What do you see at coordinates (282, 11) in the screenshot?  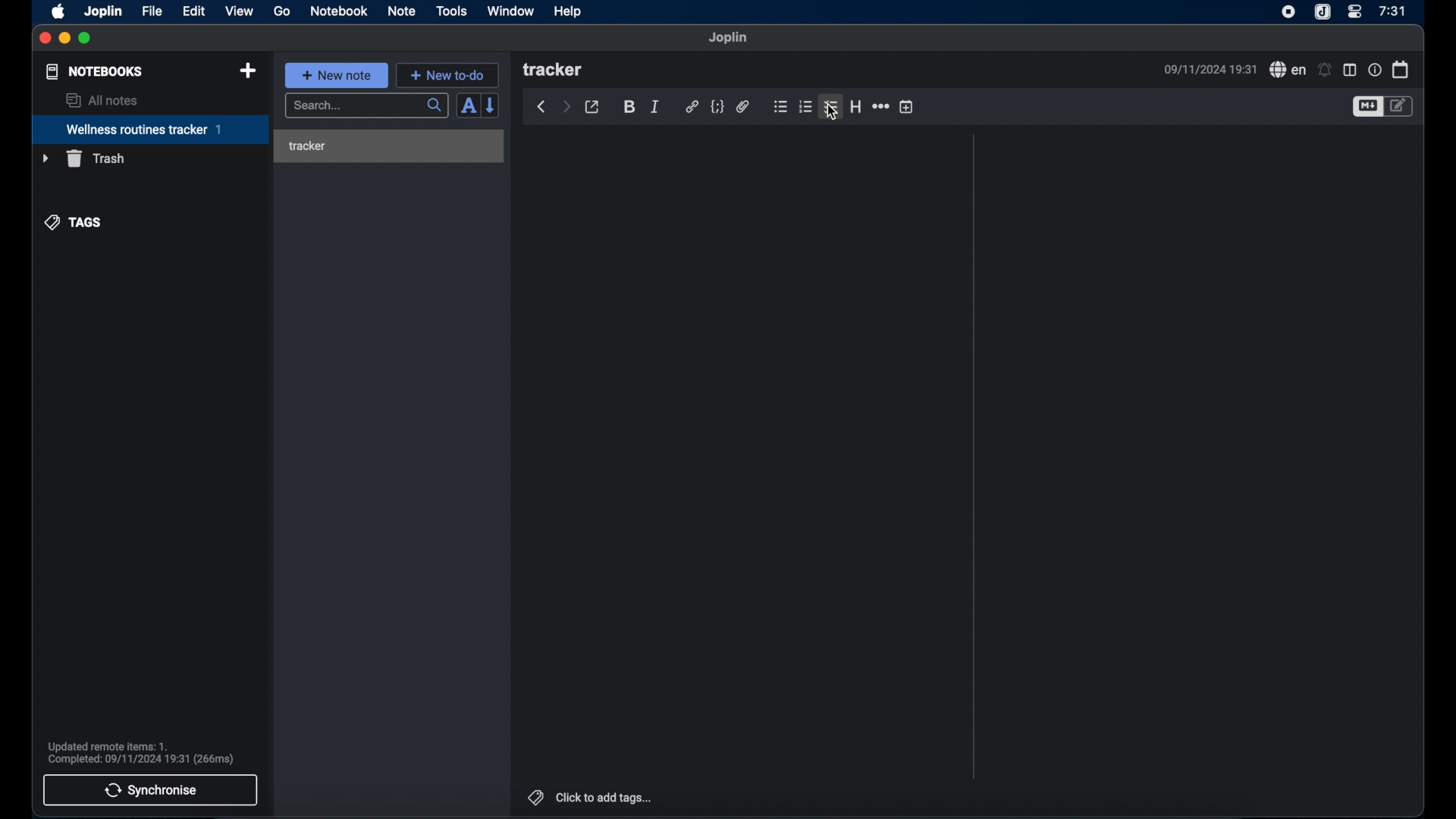 I see `go` at bounding box center [282, 11].